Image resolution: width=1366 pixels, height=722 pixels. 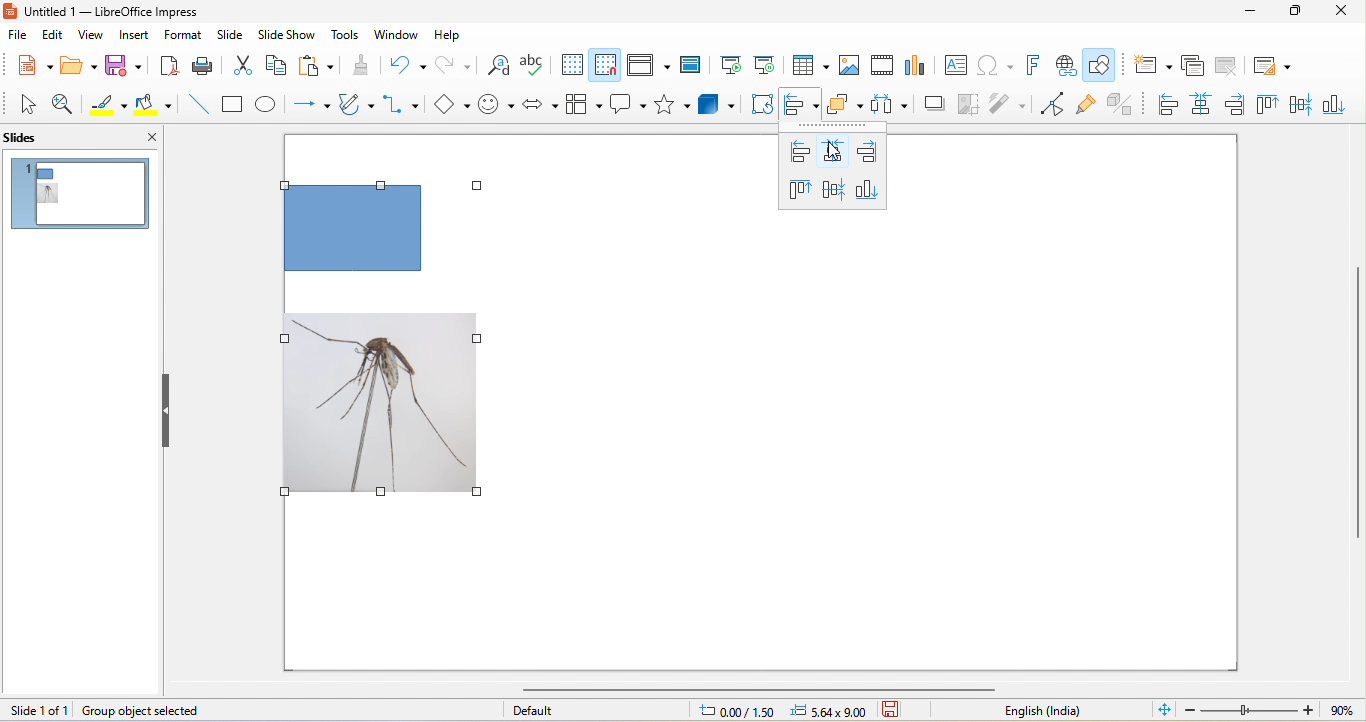 What do you see at coordinates (399, 39) in the screenshot?
I see `window` at bounding box center [399, 39].